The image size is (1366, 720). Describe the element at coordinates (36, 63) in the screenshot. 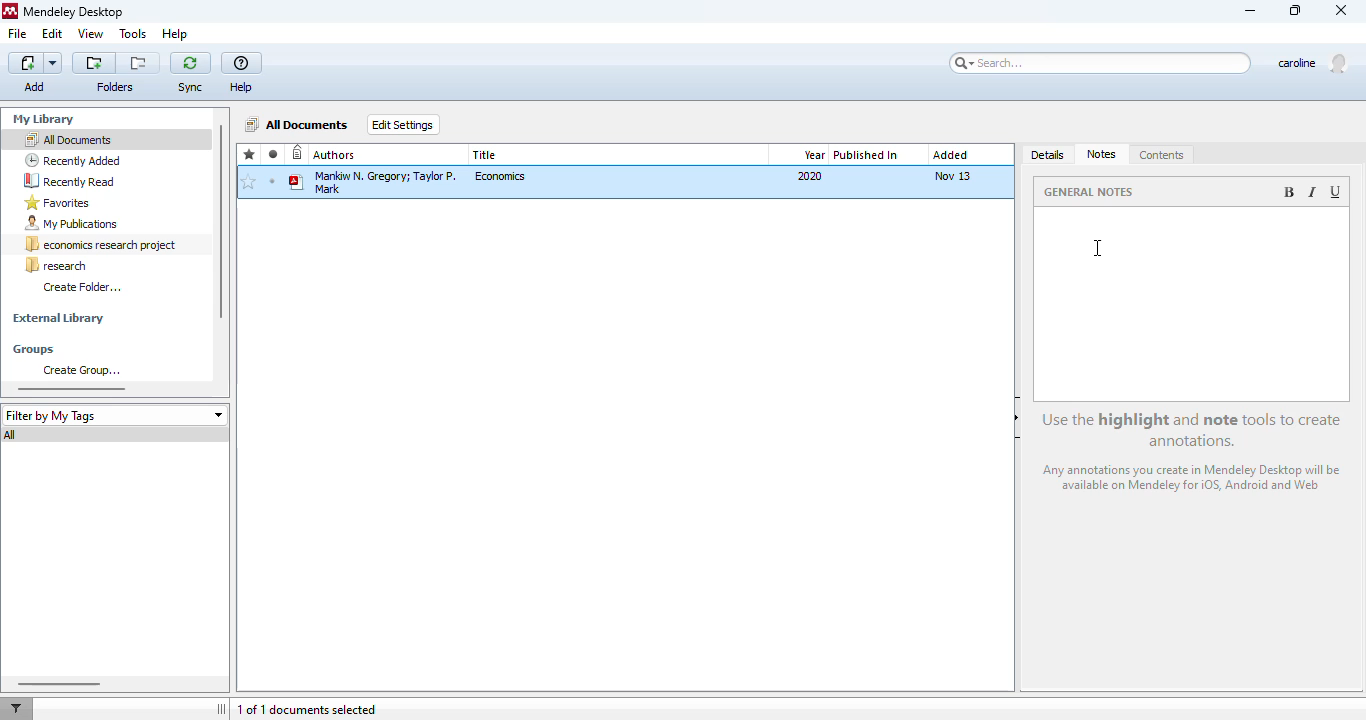

I see `add` at that location.